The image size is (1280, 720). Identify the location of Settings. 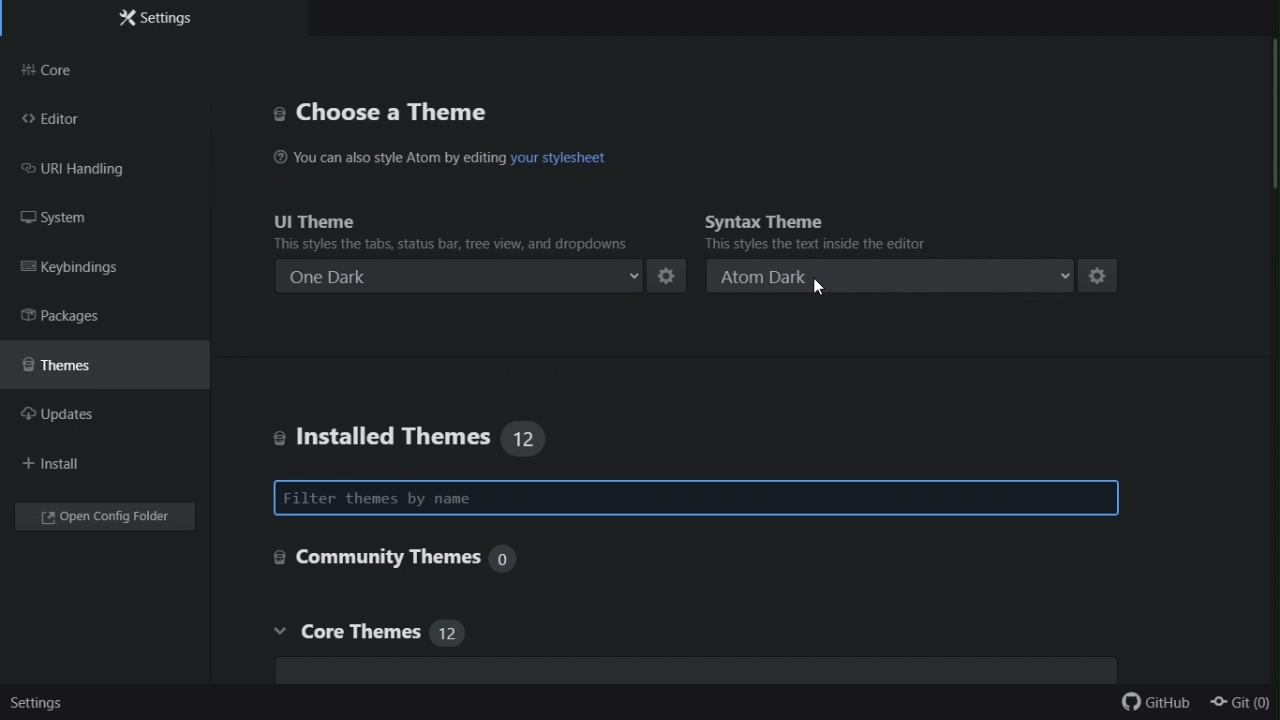
(40, 703).